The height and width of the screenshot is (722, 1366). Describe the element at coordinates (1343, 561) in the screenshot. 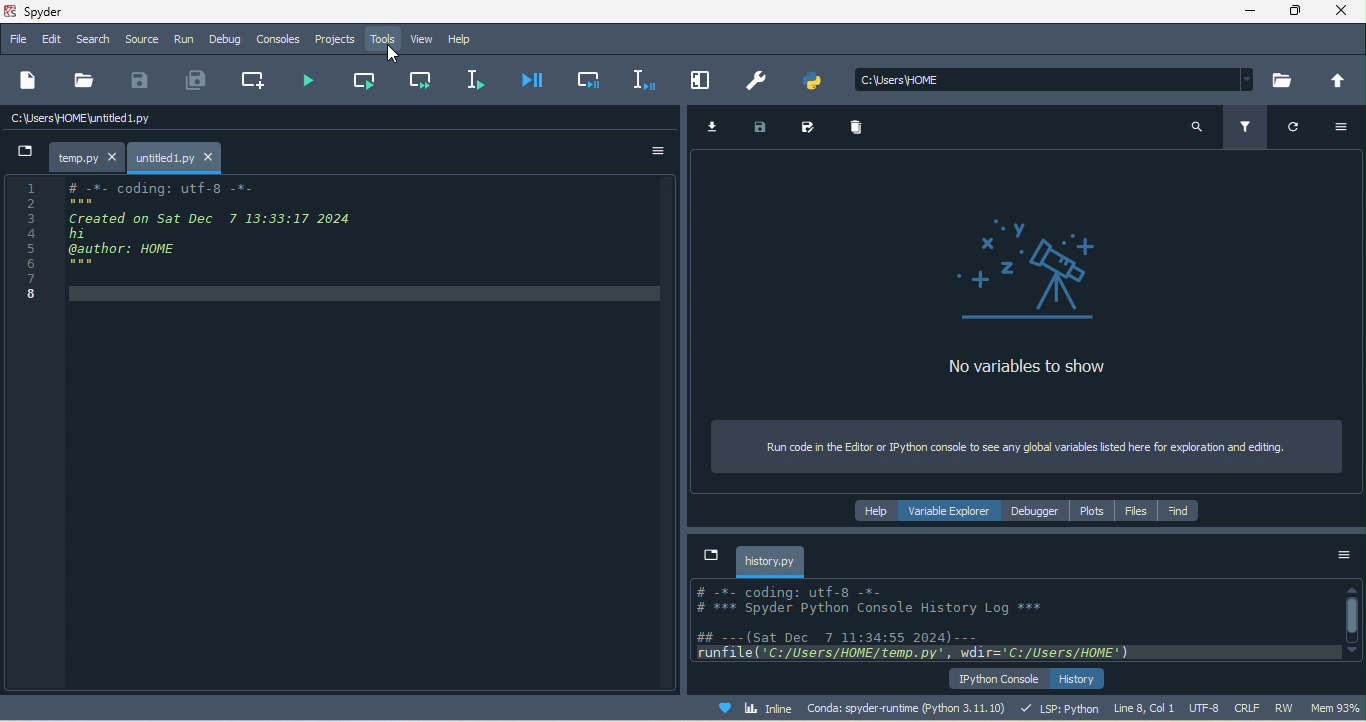

I see `option` at that location.